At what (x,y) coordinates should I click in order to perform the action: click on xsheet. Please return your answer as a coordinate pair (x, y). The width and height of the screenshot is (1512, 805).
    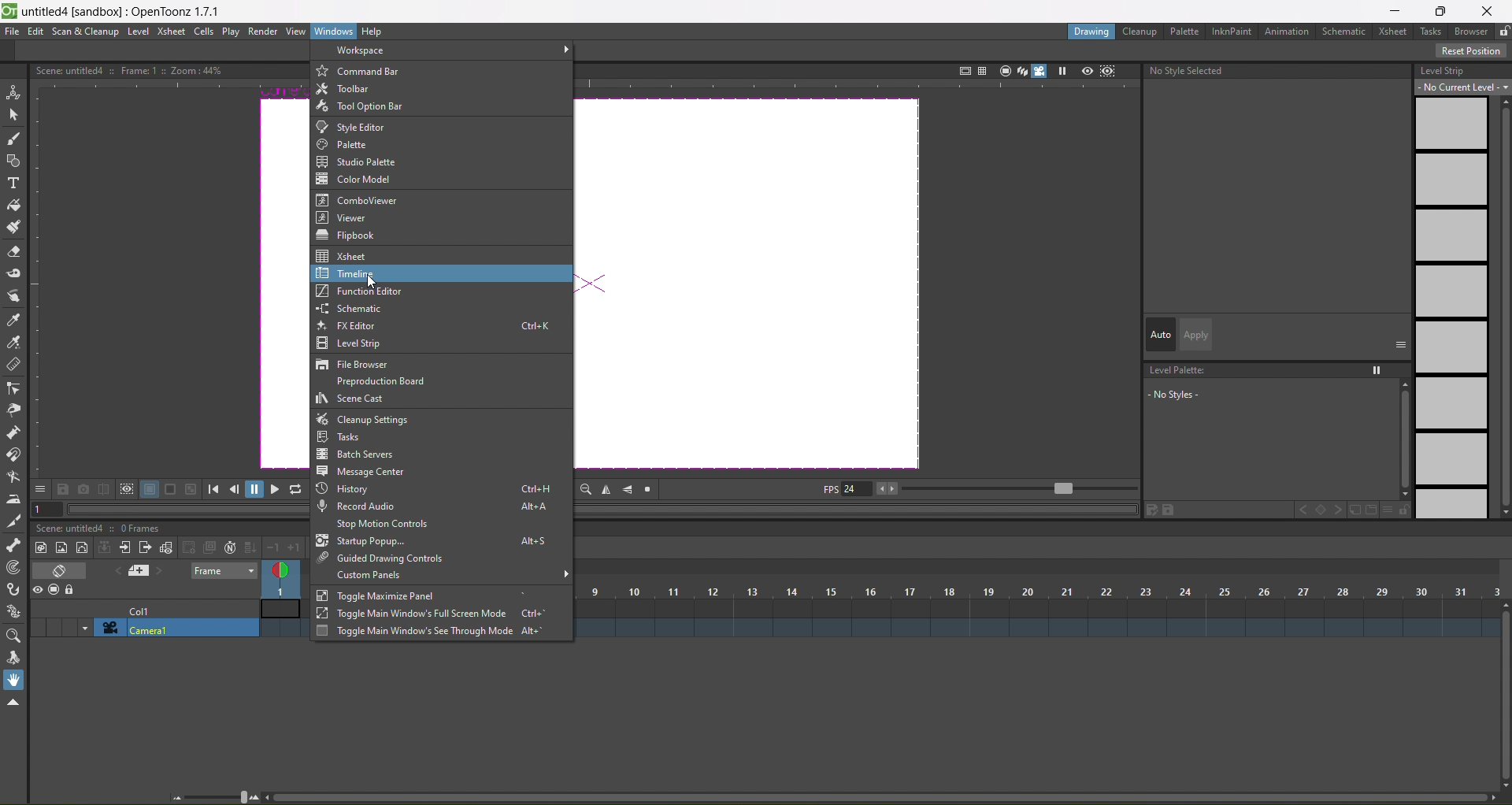
    Looking at the image, I should click on (1395, 32).